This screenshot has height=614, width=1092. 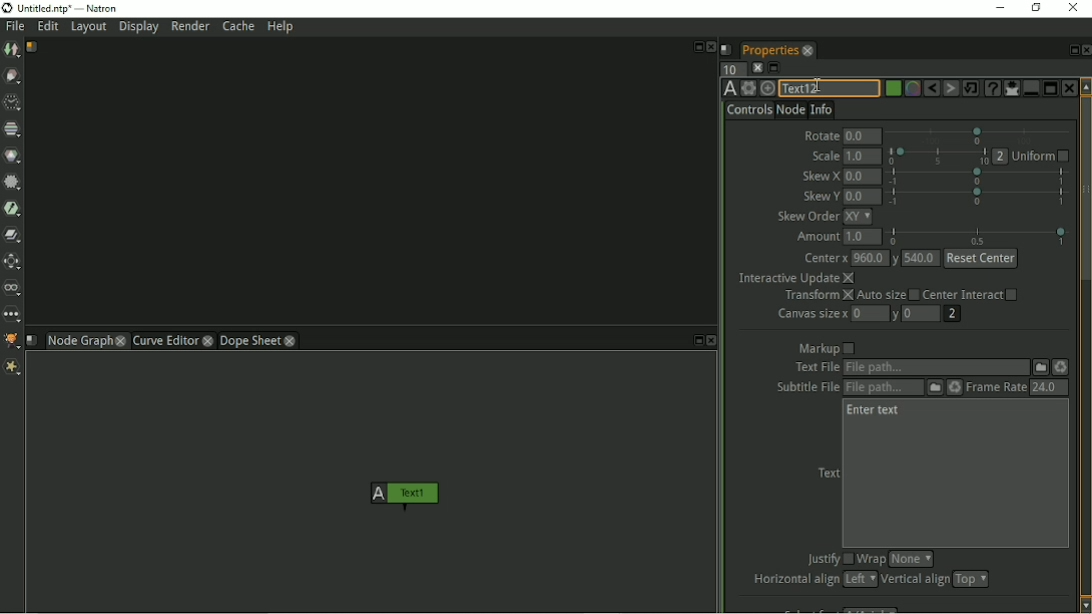 What do you see at coordinates (820, 177) in the screenshot?
I see `Skew X` at bounding box center [820, 177].